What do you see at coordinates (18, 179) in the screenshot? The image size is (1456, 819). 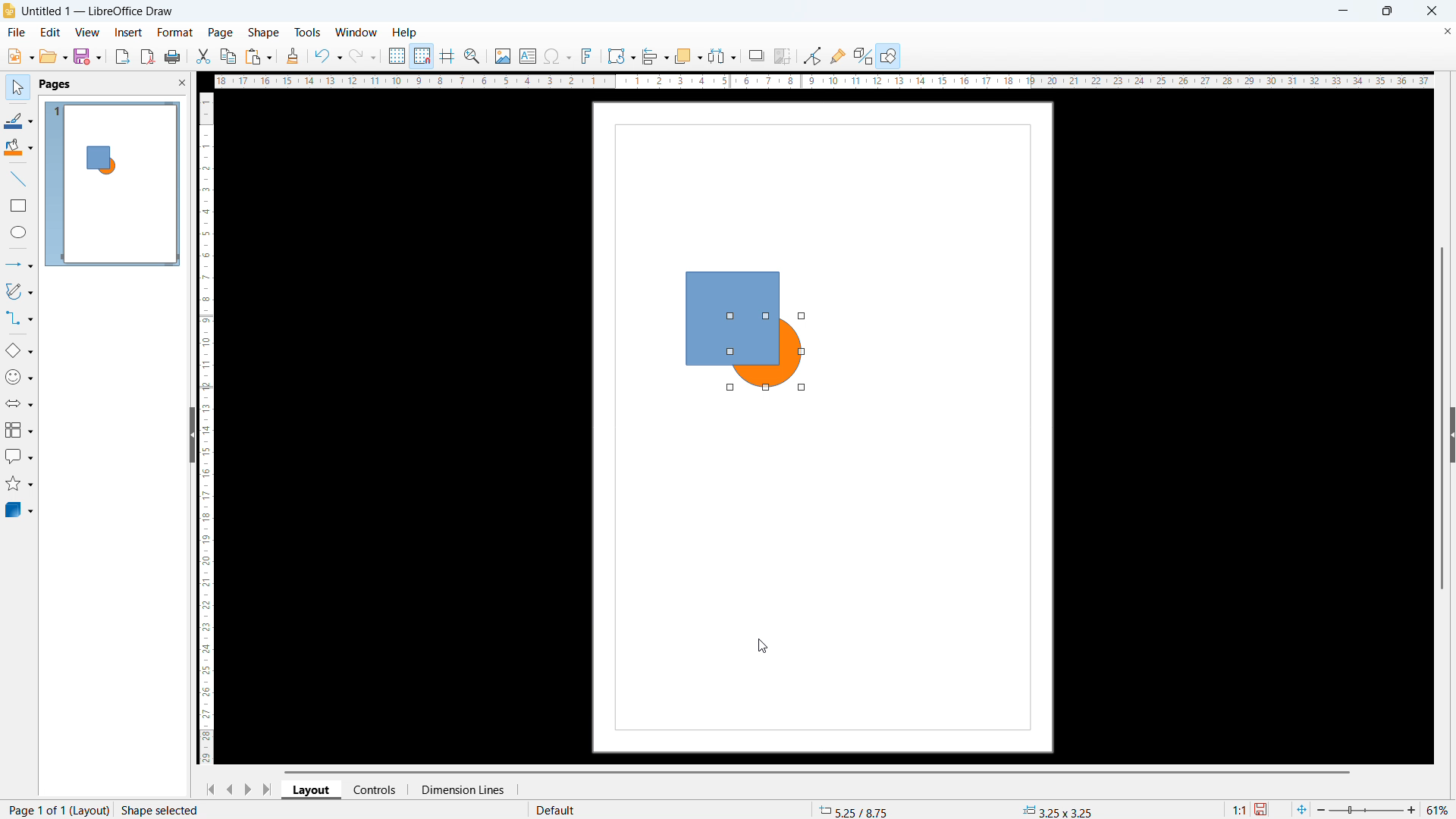 I see `Line tool ` at bounding box center [18, 179].